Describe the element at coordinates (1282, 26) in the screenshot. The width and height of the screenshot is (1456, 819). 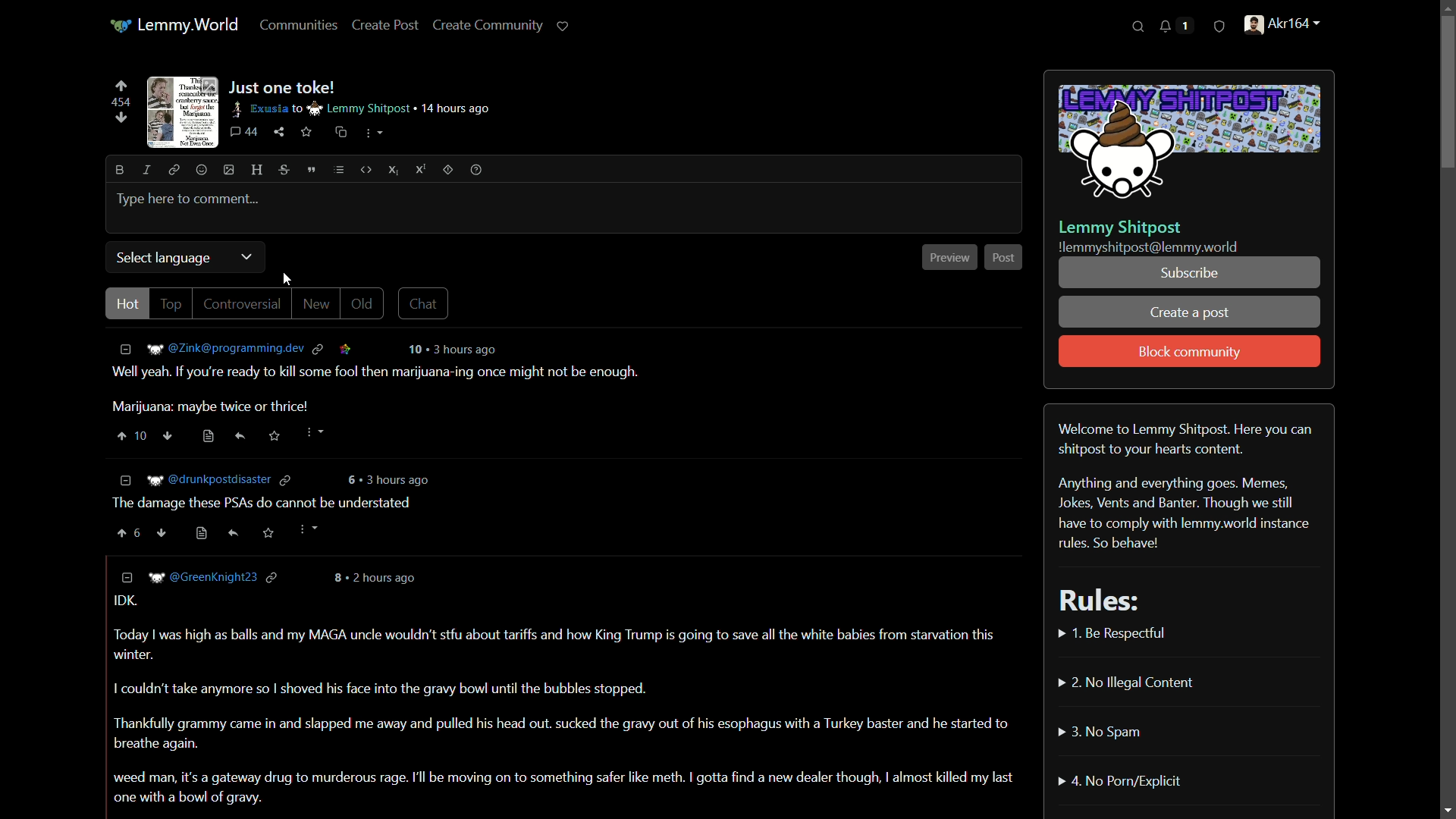
I see `Akr164` at that location.